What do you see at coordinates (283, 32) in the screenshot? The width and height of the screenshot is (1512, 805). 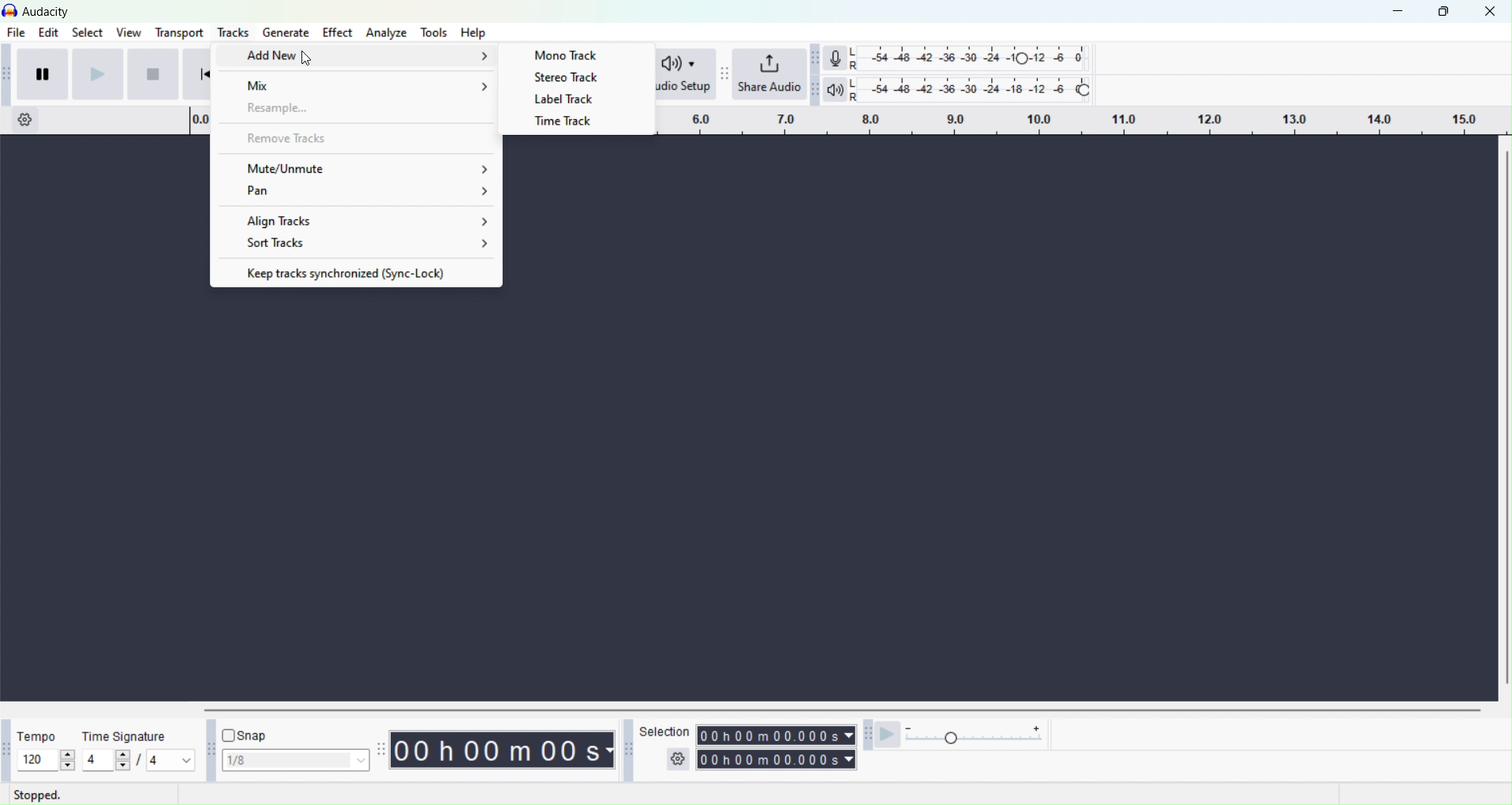 I see `Generate` at bounding box center [283, 32].